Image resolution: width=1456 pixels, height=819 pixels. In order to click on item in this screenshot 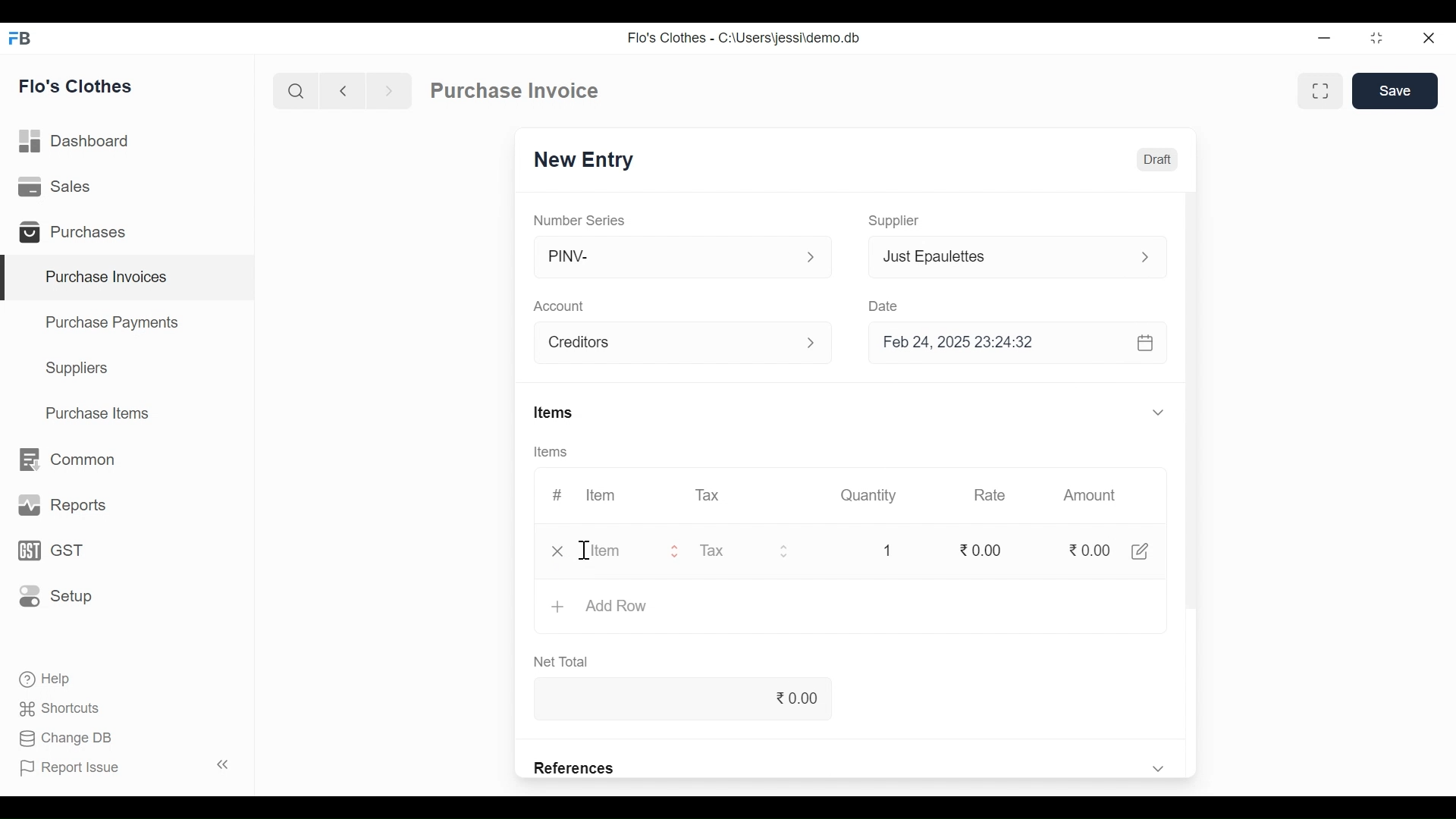, I will do `click(611, 553)`.